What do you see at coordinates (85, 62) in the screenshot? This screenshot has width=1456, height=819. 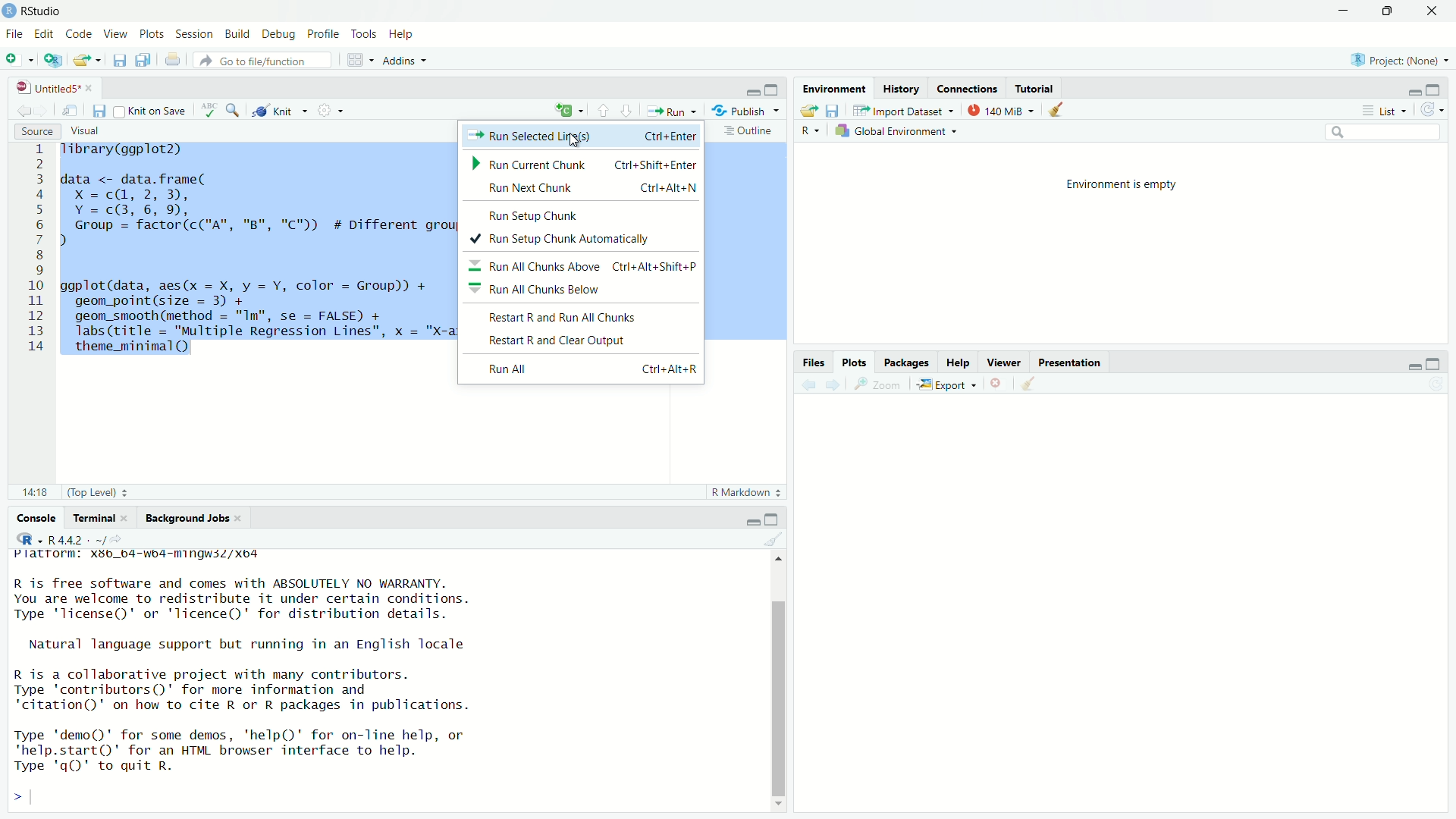 I see `export` at bounding box center [85, 62].